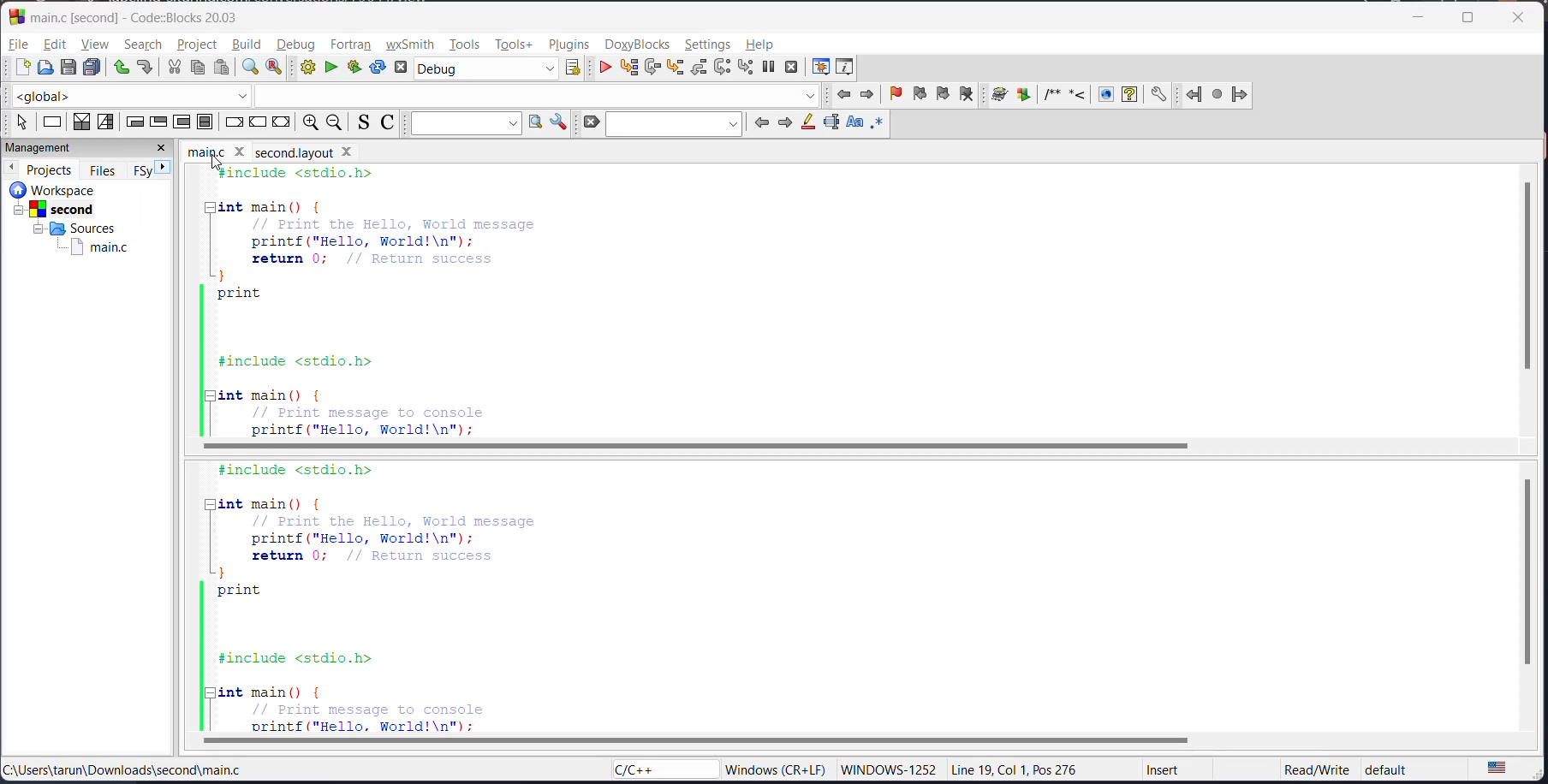  I want to click on horizontal scroll bar, so click(699, 739).